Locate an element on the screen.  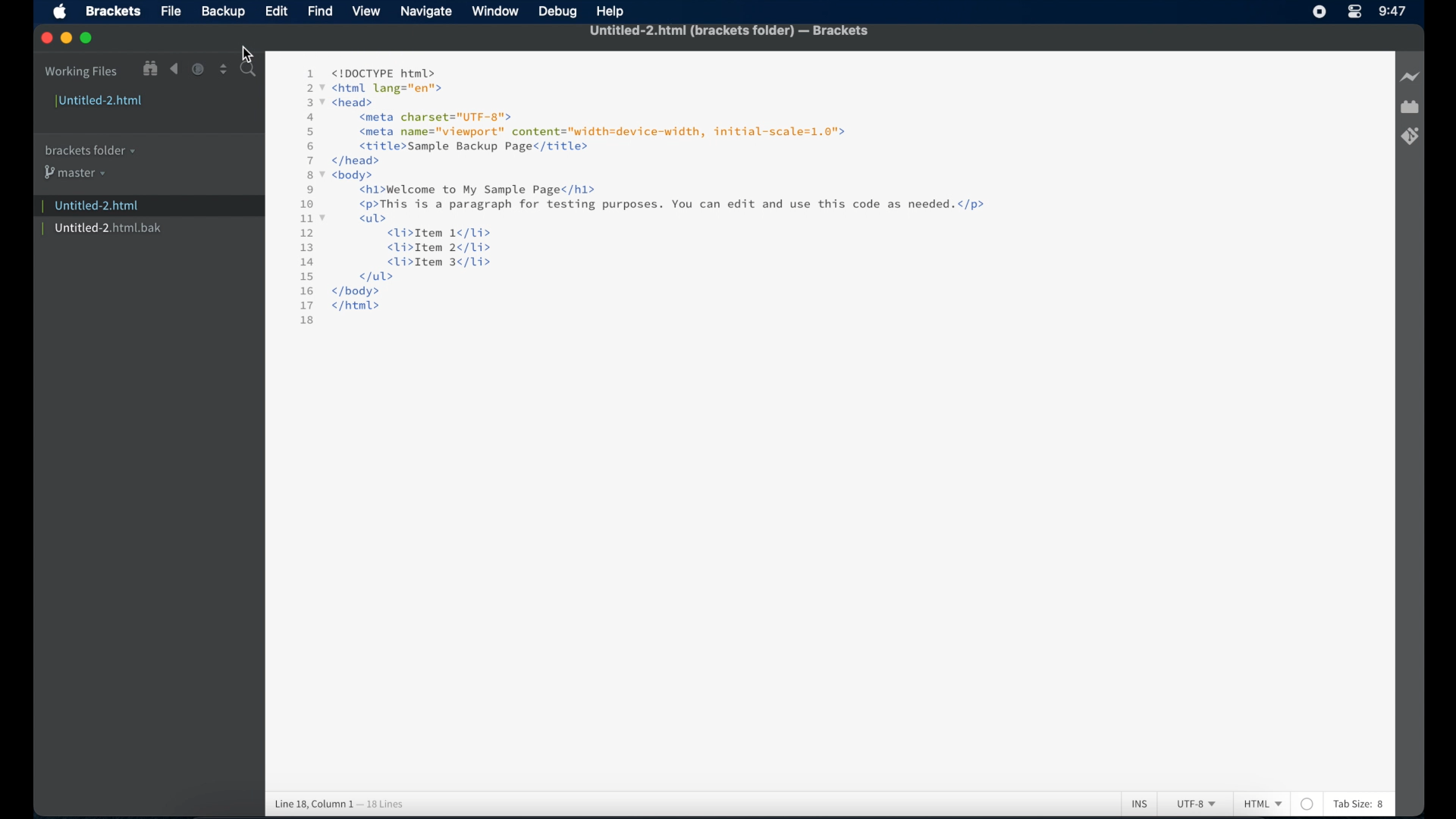
navigate forward is located at coordinates (196, 69).